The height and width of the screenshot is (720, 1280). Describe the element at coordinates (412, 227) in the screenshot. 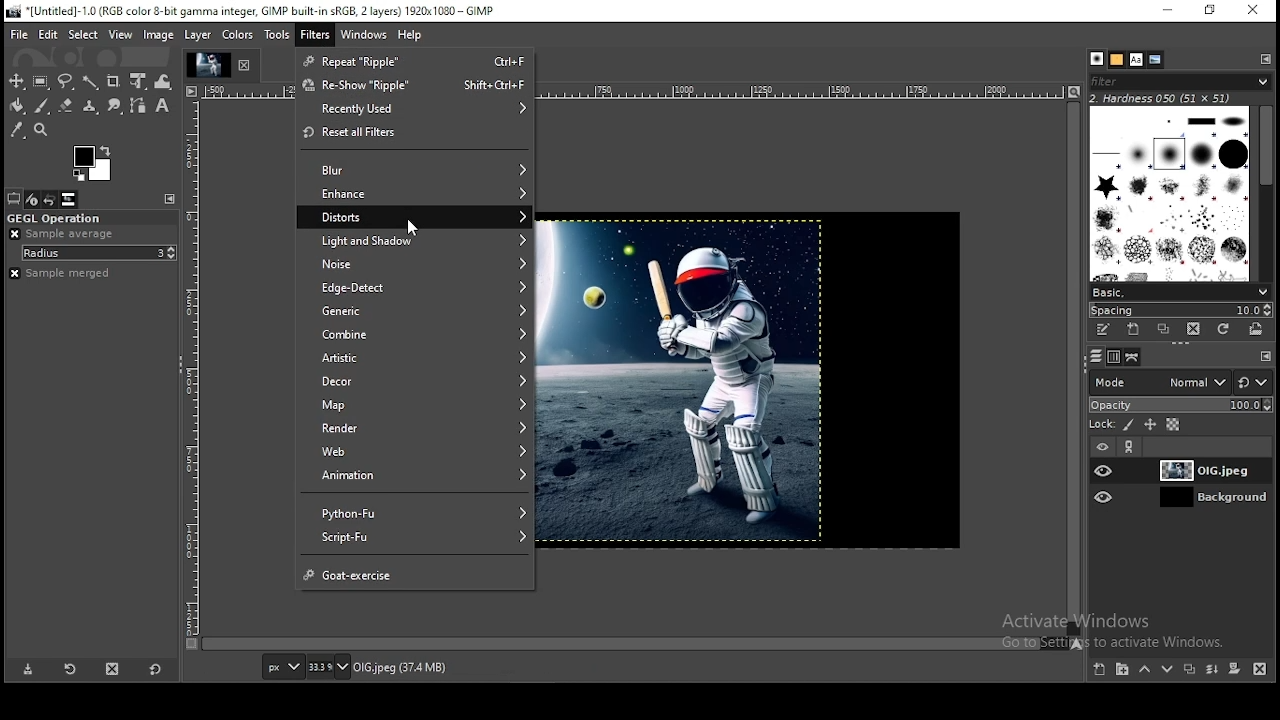

I see `mouse pointer` at that location.